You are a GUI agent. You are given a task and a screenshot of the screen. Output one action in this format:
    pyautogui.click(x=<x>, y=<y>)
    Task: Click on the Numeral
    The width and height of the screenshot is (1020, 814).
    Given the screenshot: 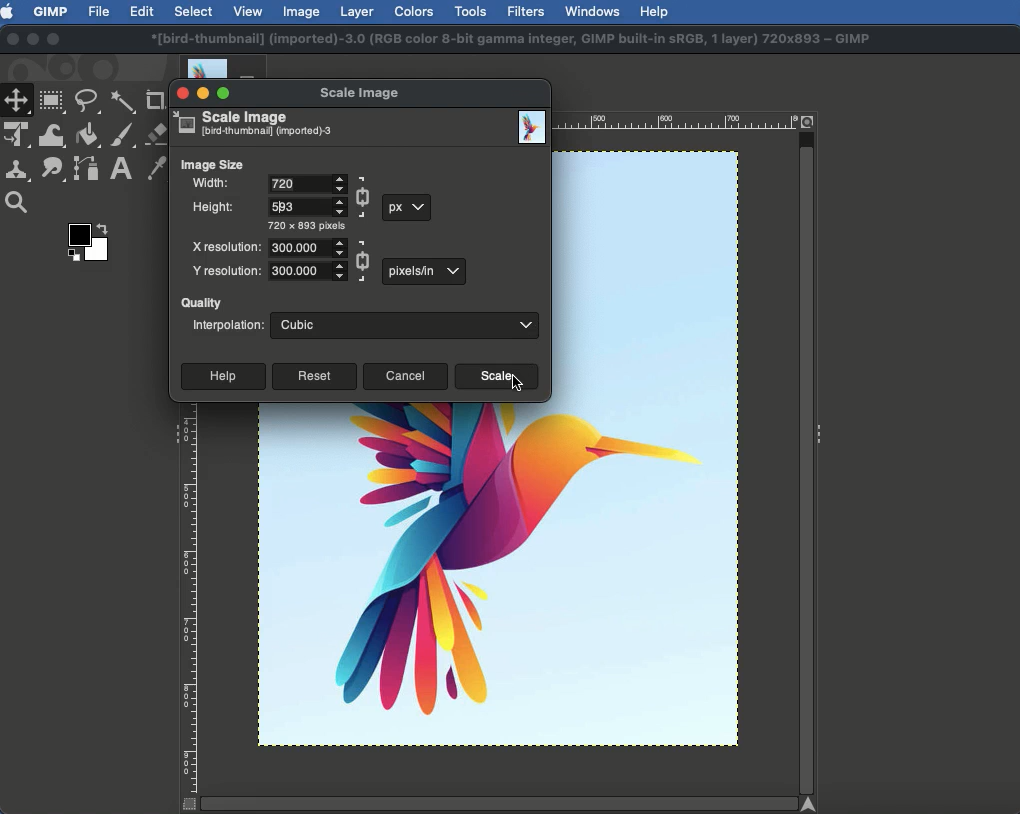 What is the action you would take?
    pyautogui.click(x=309, y=248)
    